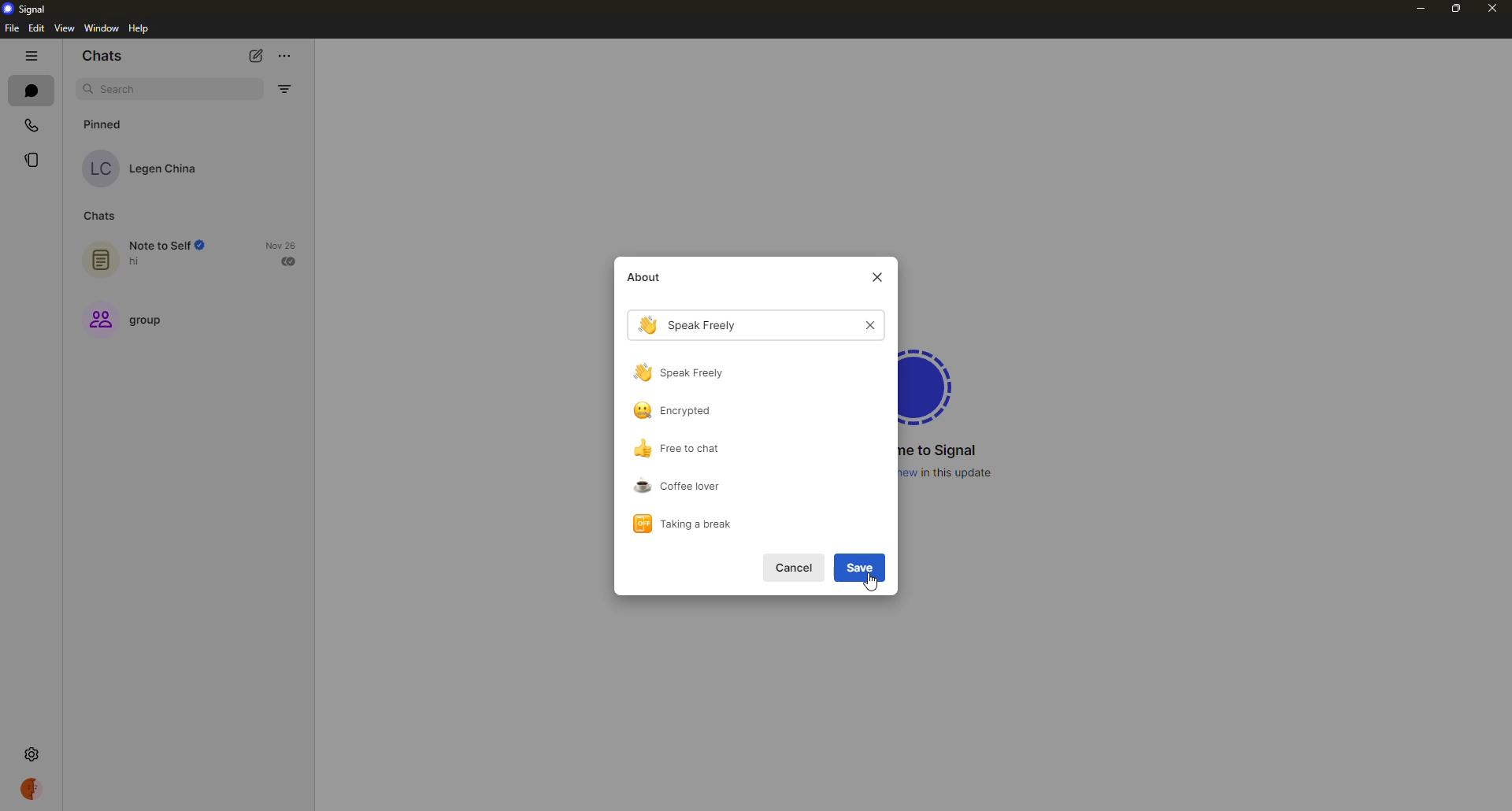 This screenshot has height=811, width=1512. What do you see at coordinates (260, 54) in the screenshot?
I see `new chat` at bounding box center [260, 54].